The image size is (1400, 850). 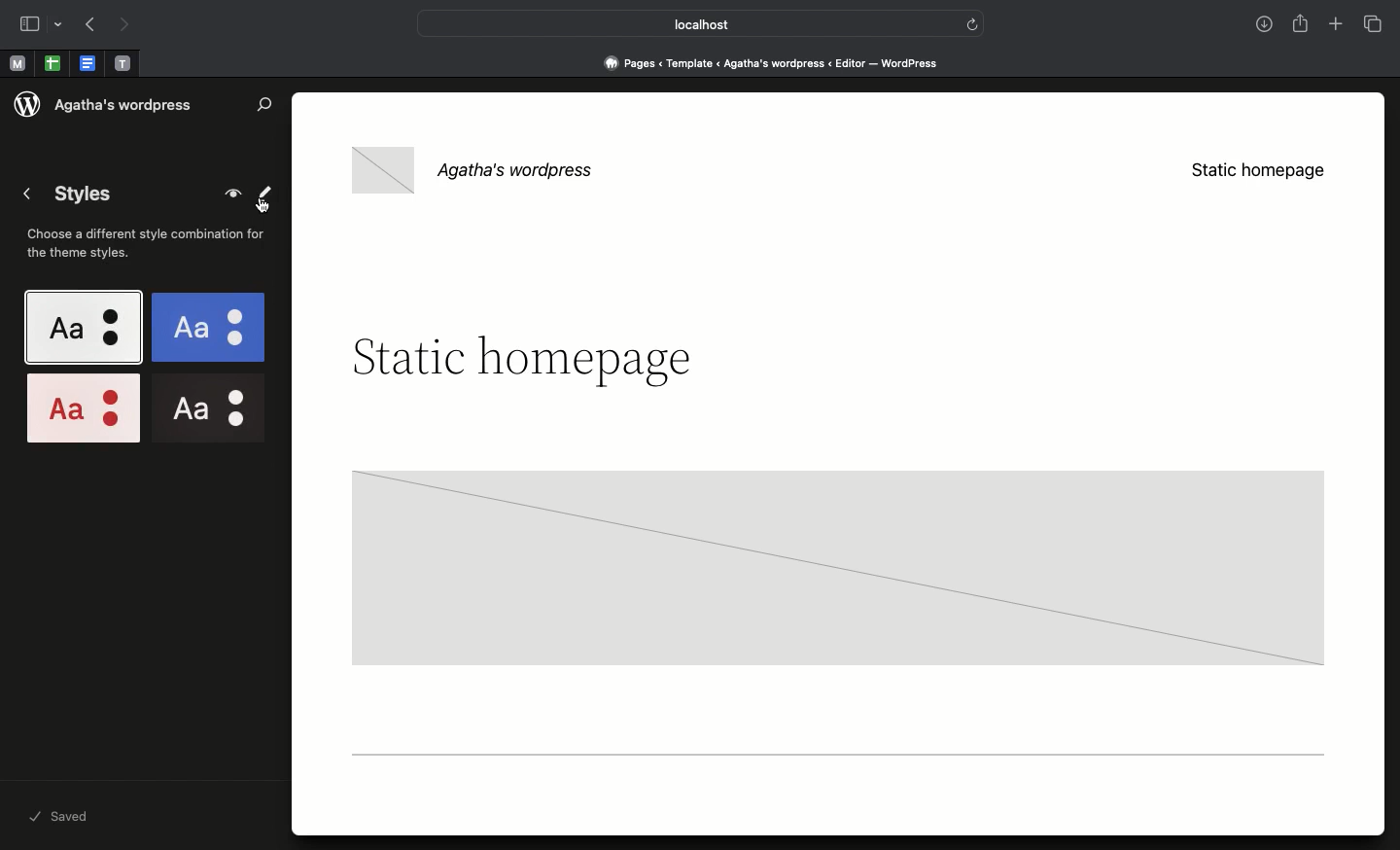 I want to click on Add new tab, so click(x=1338, y=26).